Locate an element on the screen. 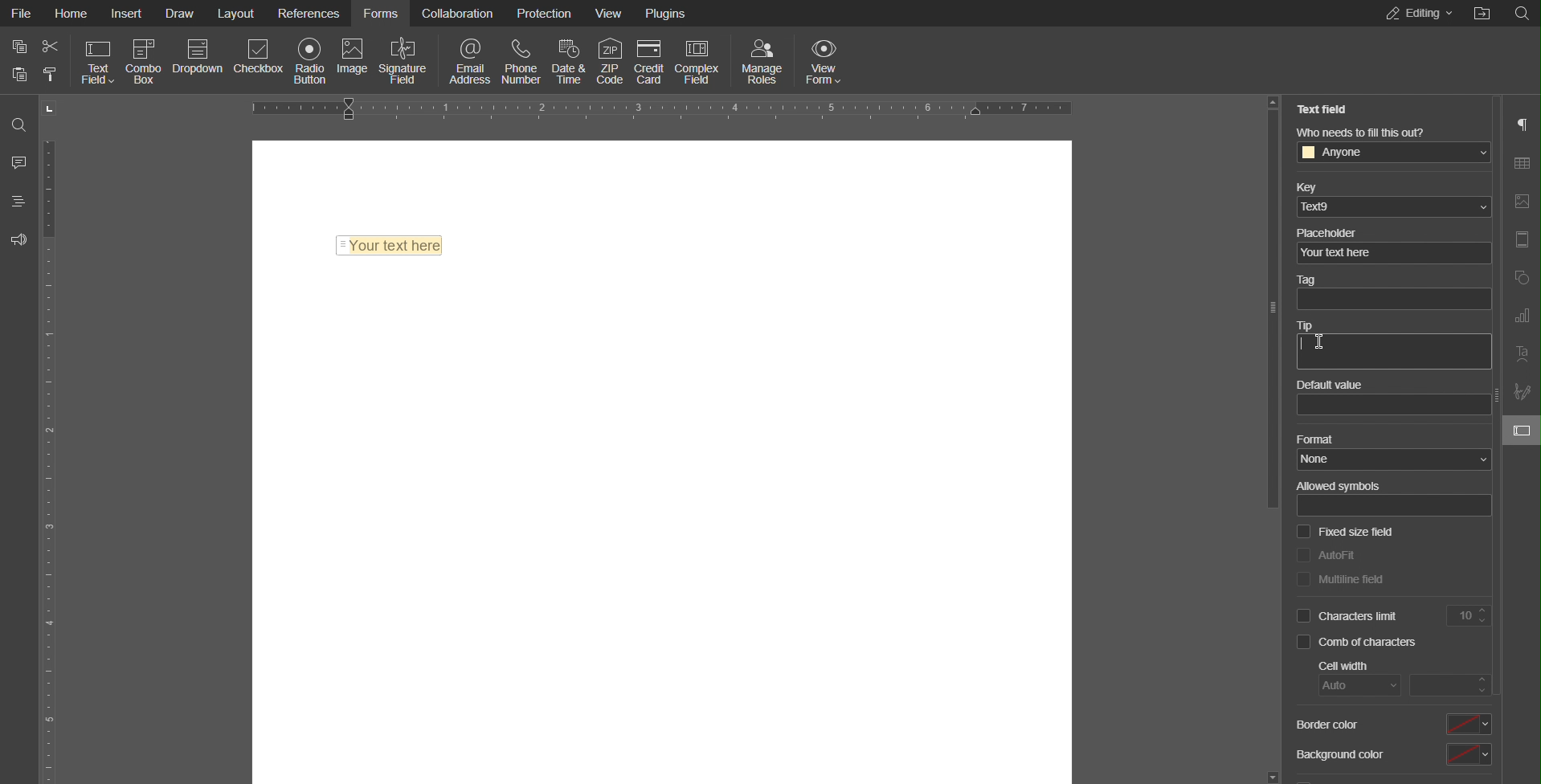 This screenshot has height=784, width=1541. Text Field is located at coordinates (100, 61).